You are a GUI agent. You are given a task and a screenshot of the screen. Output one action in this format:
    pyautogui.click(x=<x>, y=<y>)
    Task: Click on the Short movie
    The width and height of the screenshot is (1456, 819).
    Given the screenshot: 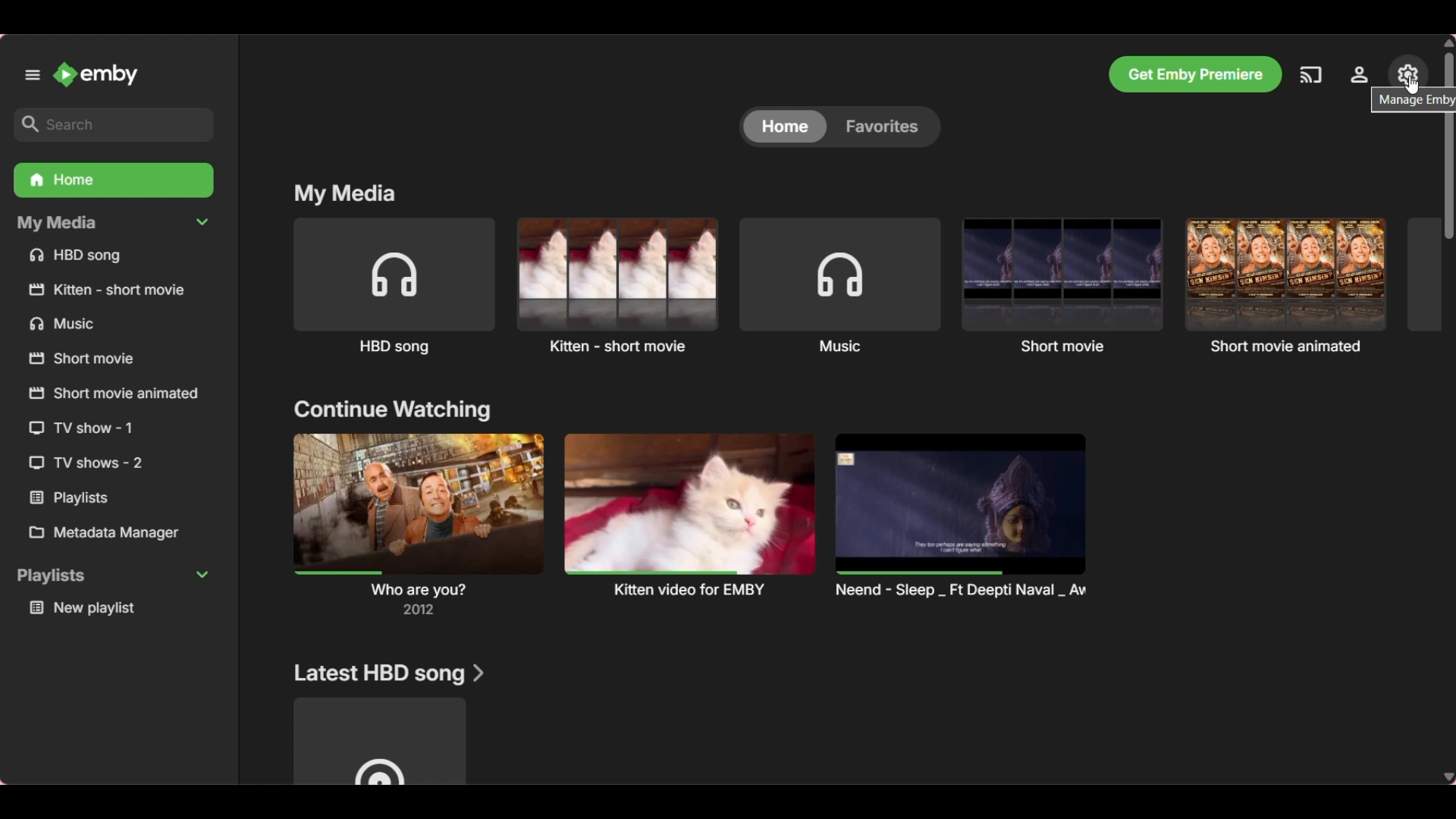 What is the action you would take?
    pyautogui.click(x=617, y=287)
    